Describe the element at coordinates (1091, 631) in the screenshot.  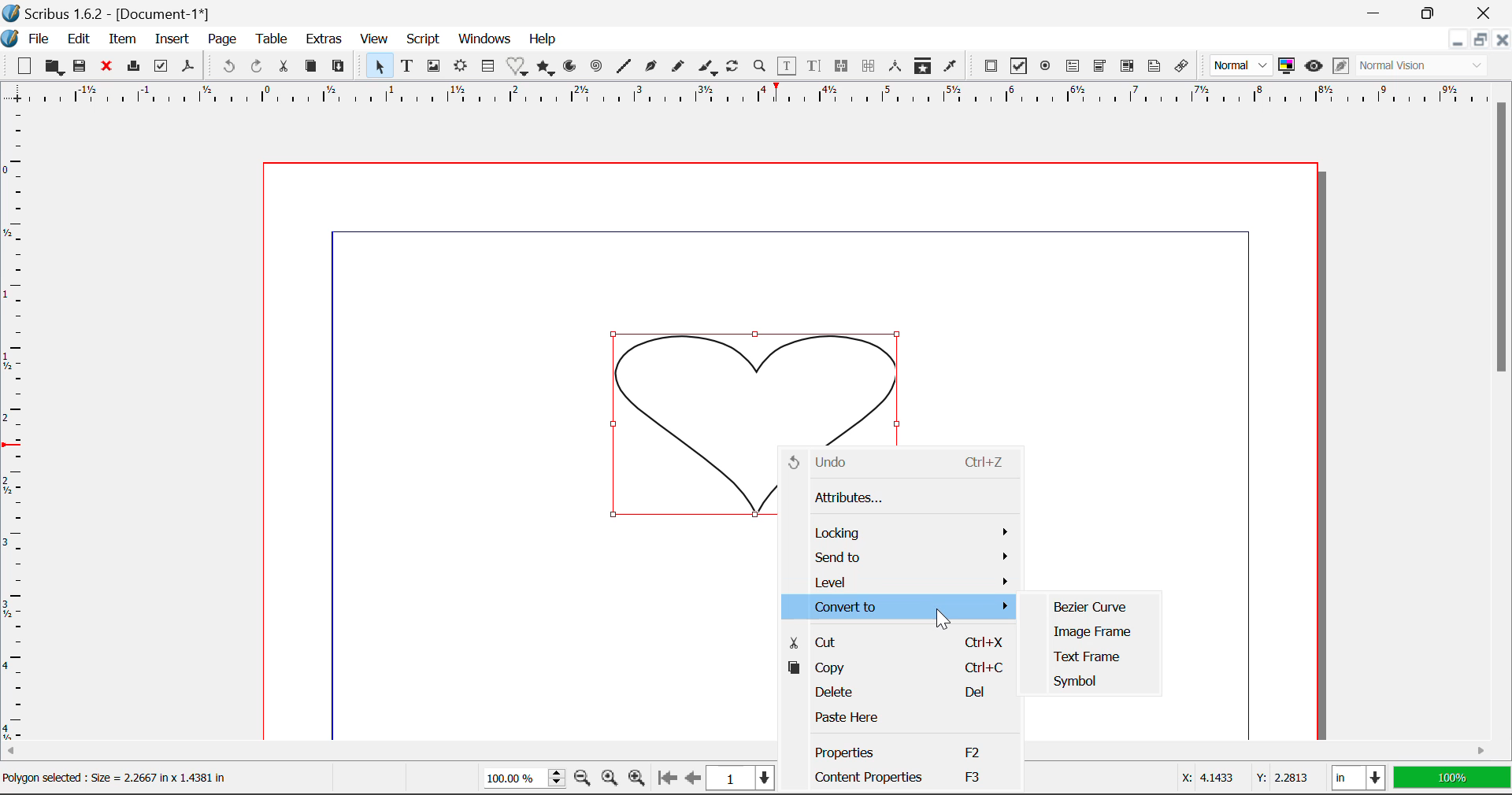
I see `Image Frame` at that location.